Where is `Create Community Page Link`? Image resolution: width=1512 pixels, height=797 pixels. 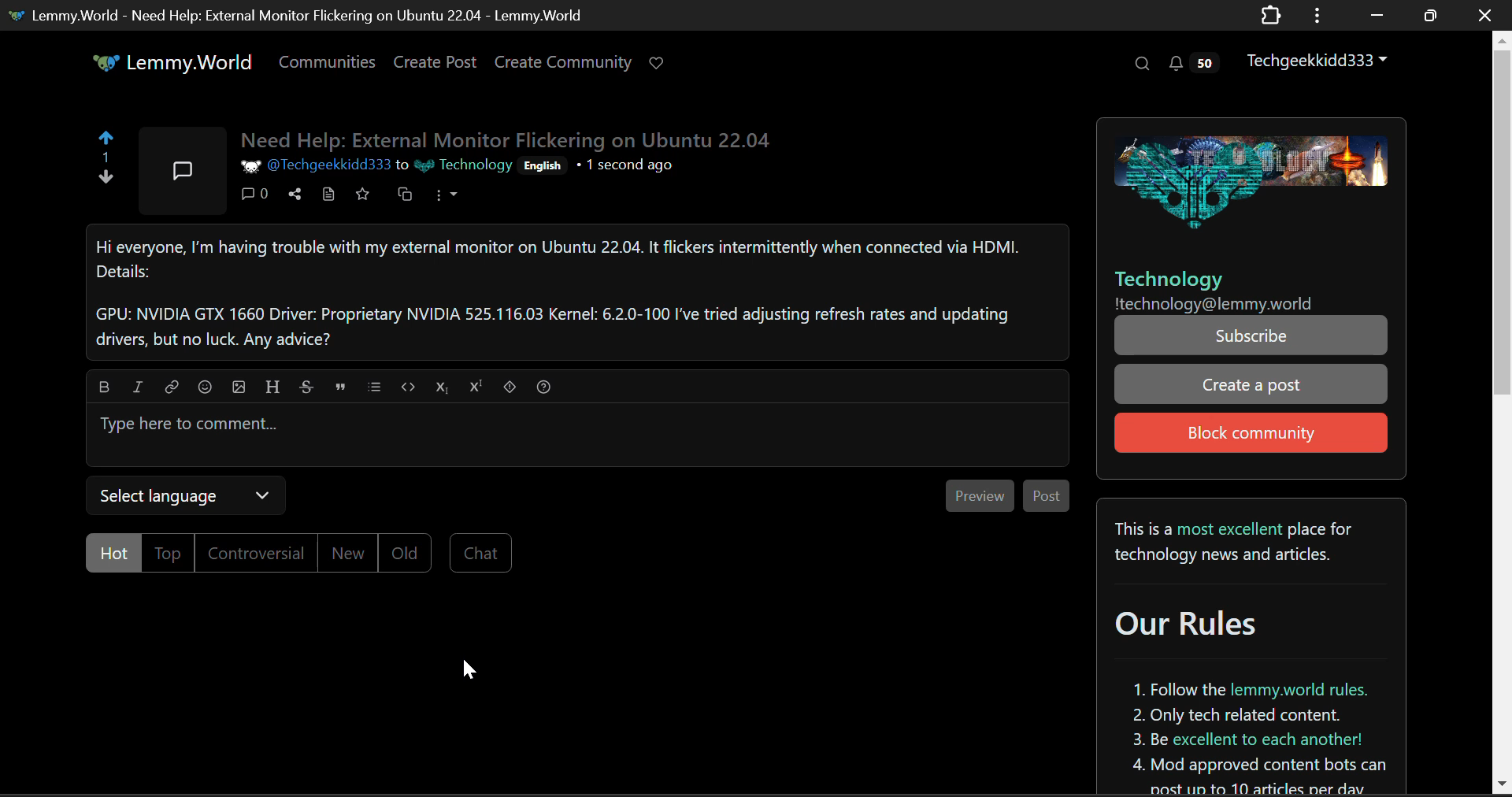 Create Community Page Link is located at coordinates (563, 61).